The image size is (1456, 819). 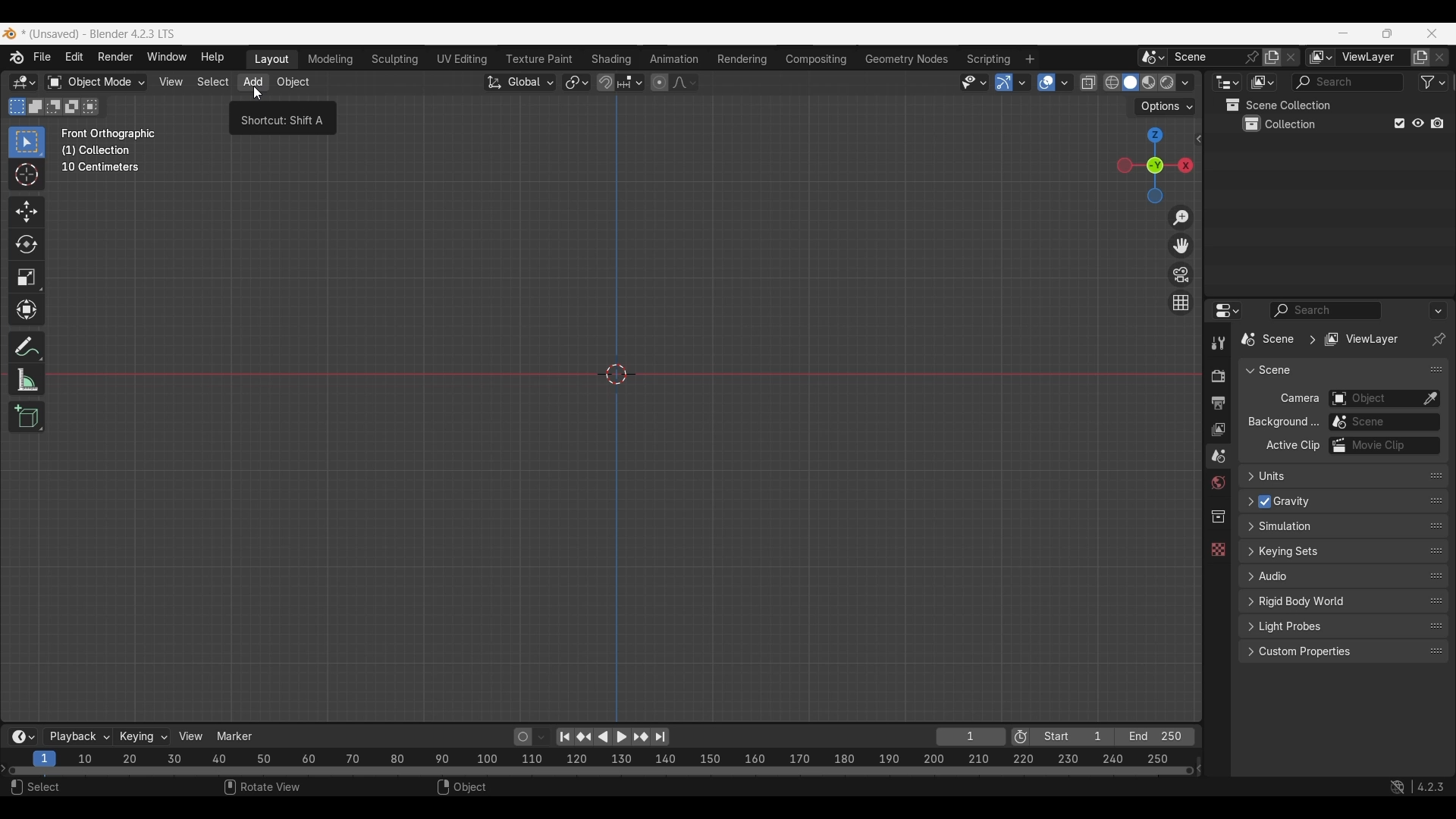 What do you see at coordinates (74, 58) in the screenshot?
I see `Edit menu` at bounding box center [74, 58].